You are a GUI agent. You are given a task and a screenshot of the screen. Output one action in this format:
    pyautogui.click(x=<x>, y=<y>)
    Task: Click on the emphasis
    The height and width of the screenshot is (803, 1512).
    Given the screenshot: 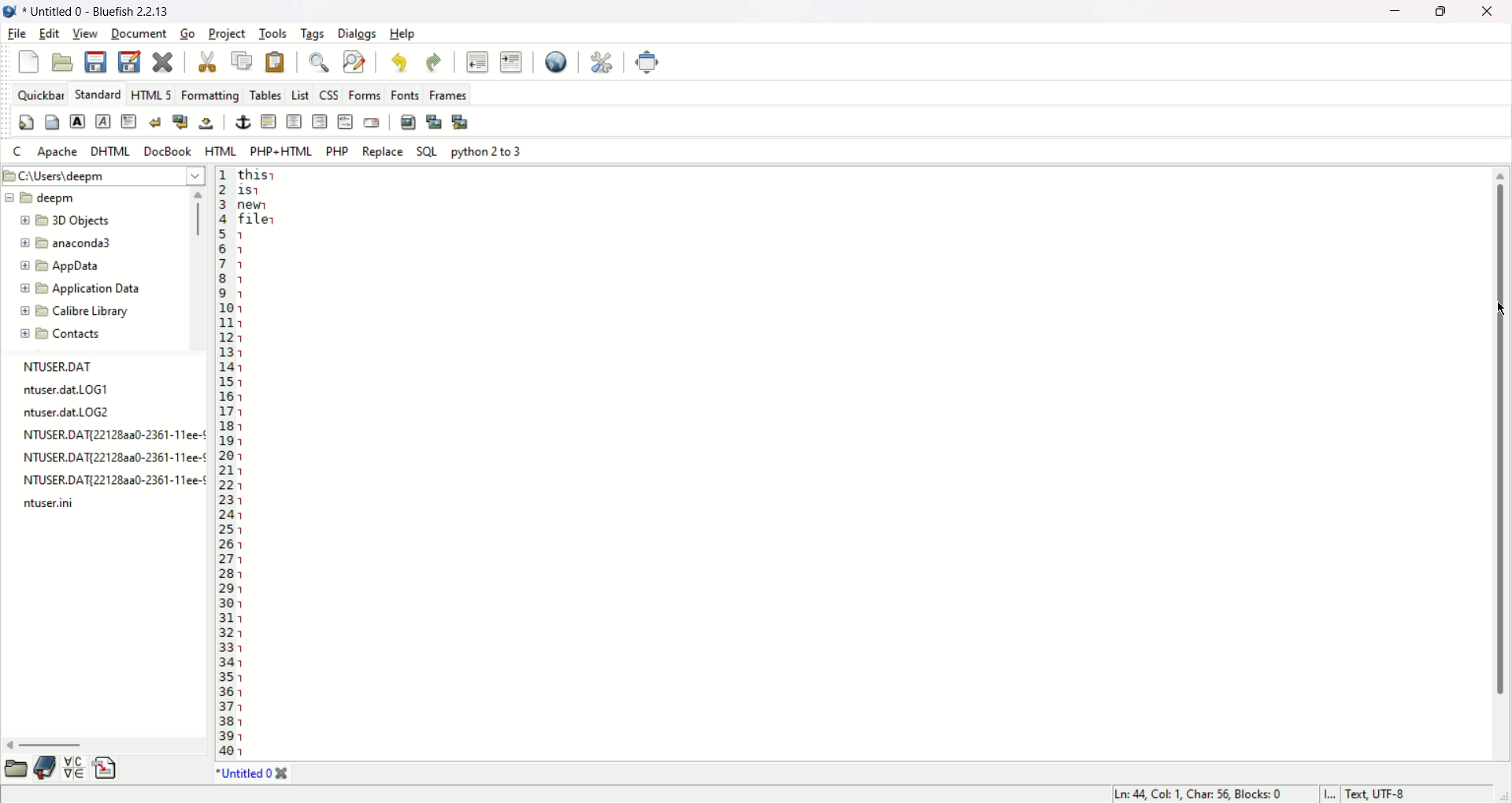 What is the action you would take?
    pyautogui.click(x=103, y=122)
    